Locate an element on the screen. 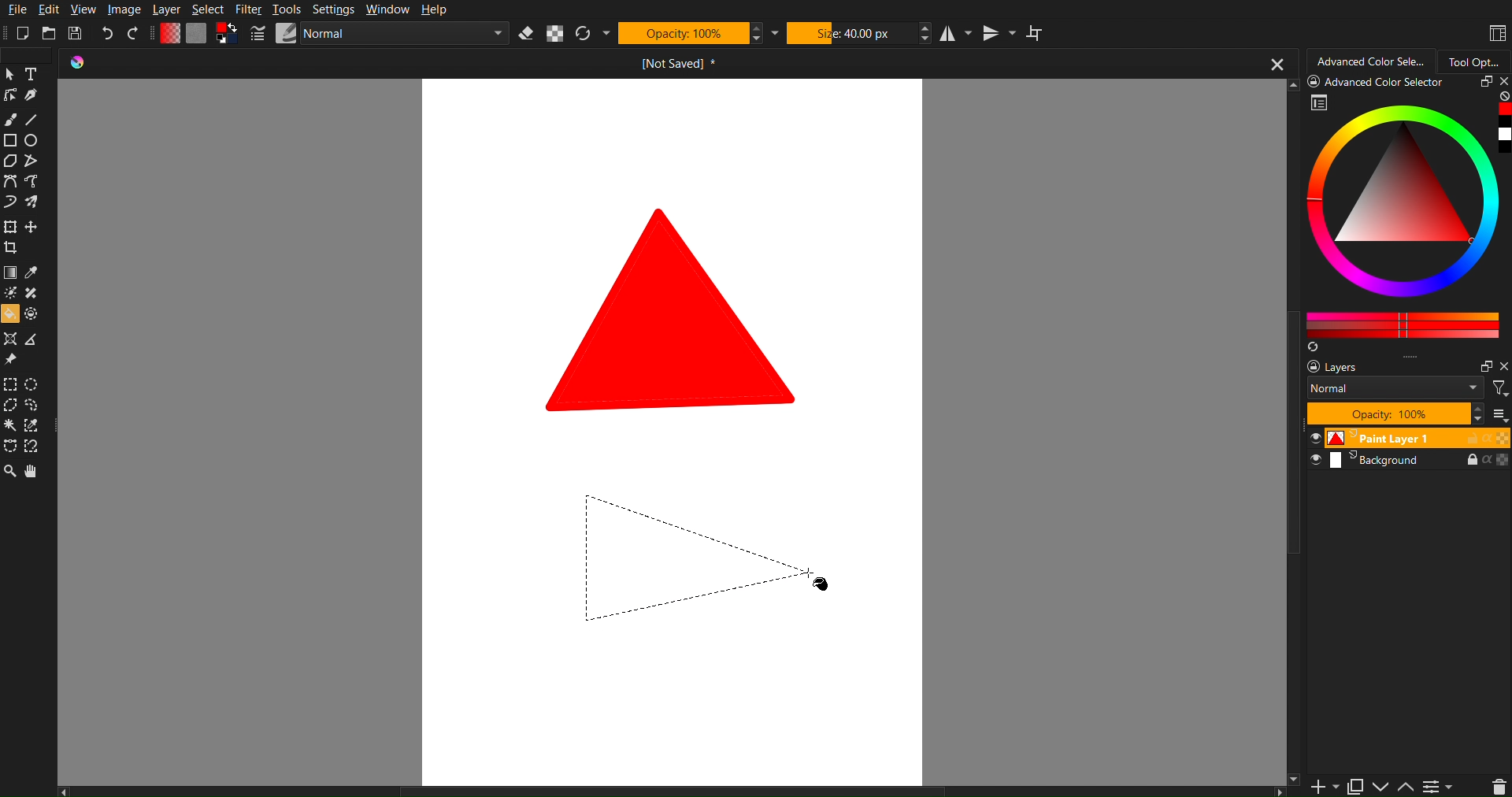 The width and height of the screenshot is (1512, 797). Layer Controls is located at coordinates (1499, 786).